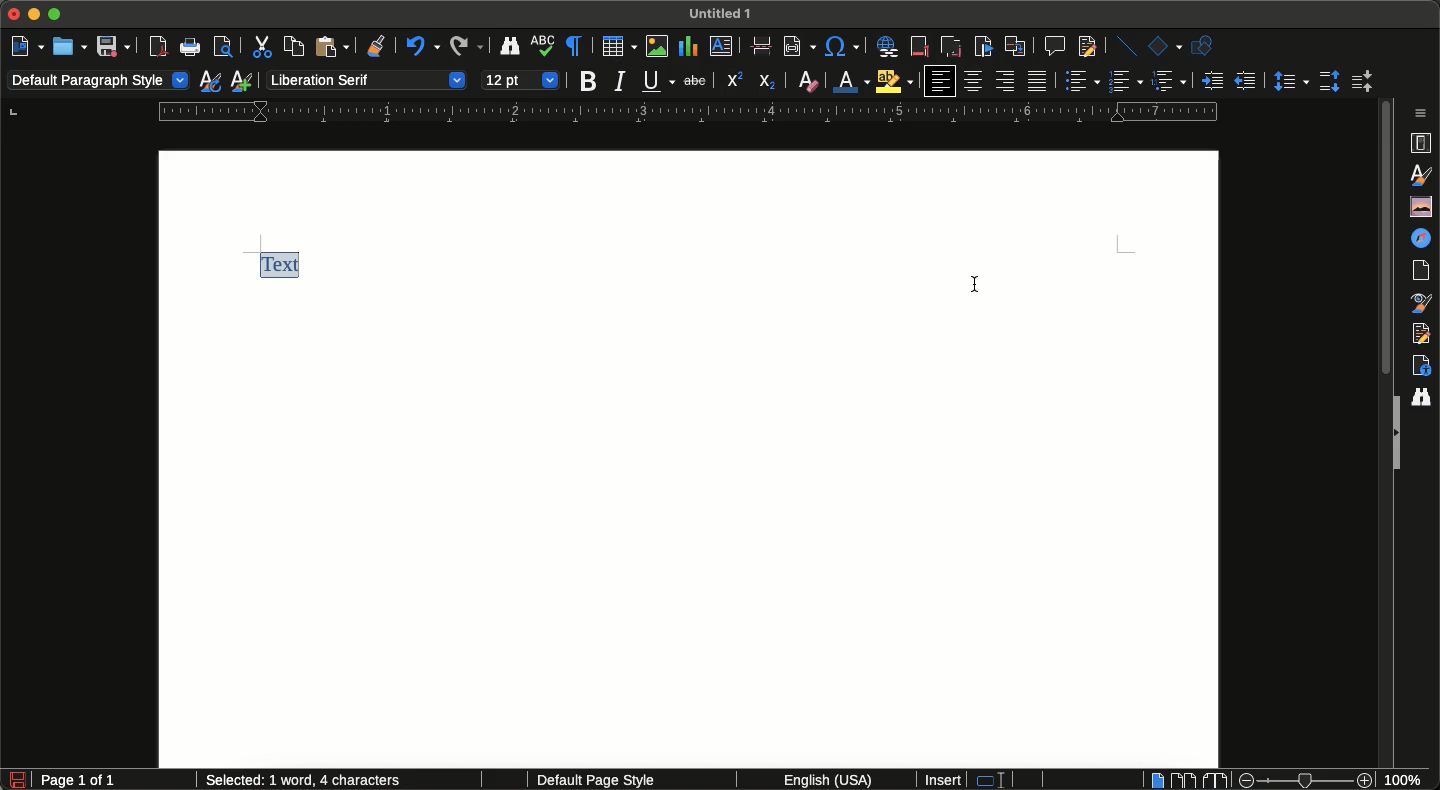 Image resolution: width=1440 pixels, height=790 pixels. Describe the element at coordinates (244, 81) in the screenshot. I see `New style from selection` at that location.